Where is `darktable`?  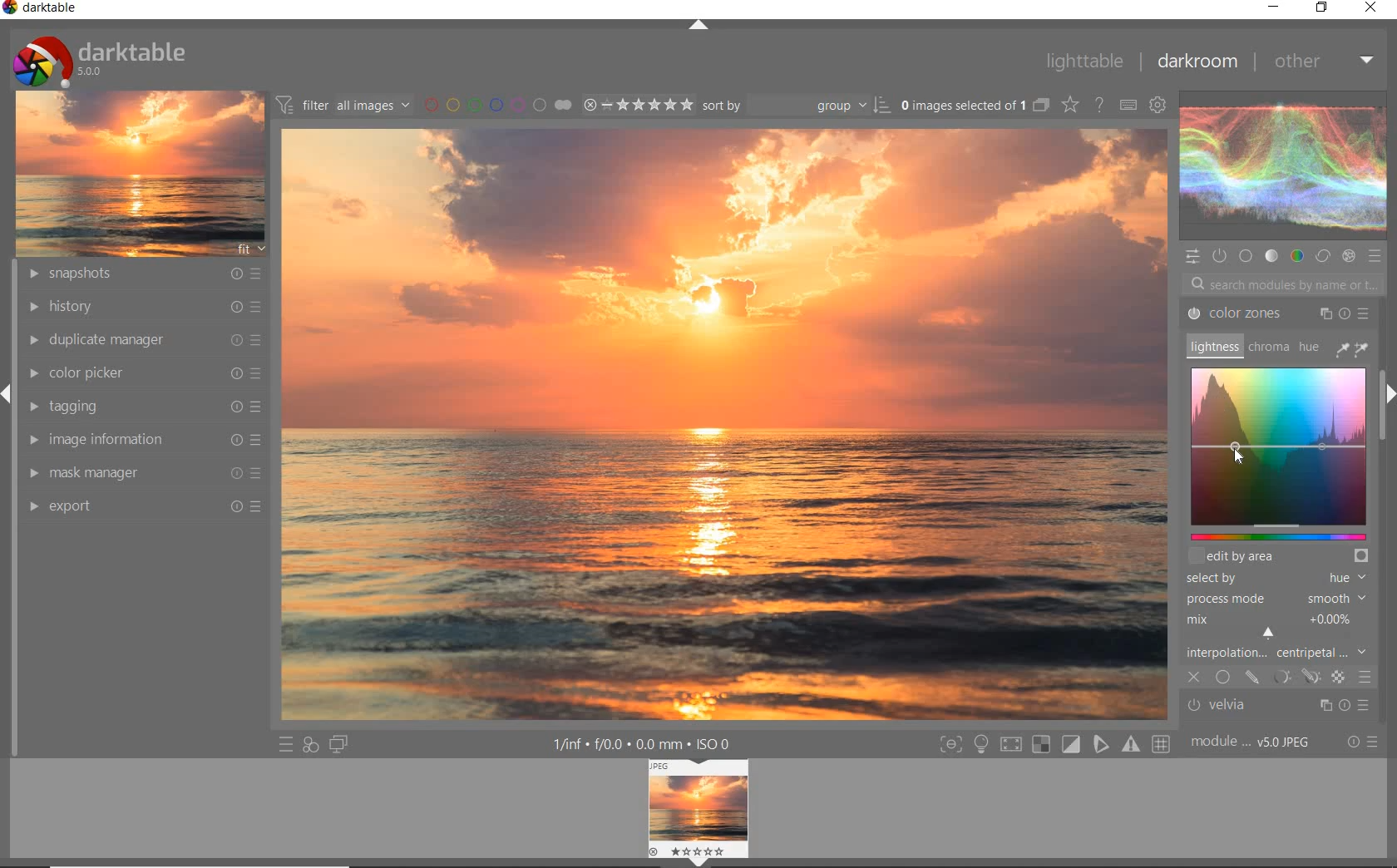 darktable is located at coordinates (42, 9).